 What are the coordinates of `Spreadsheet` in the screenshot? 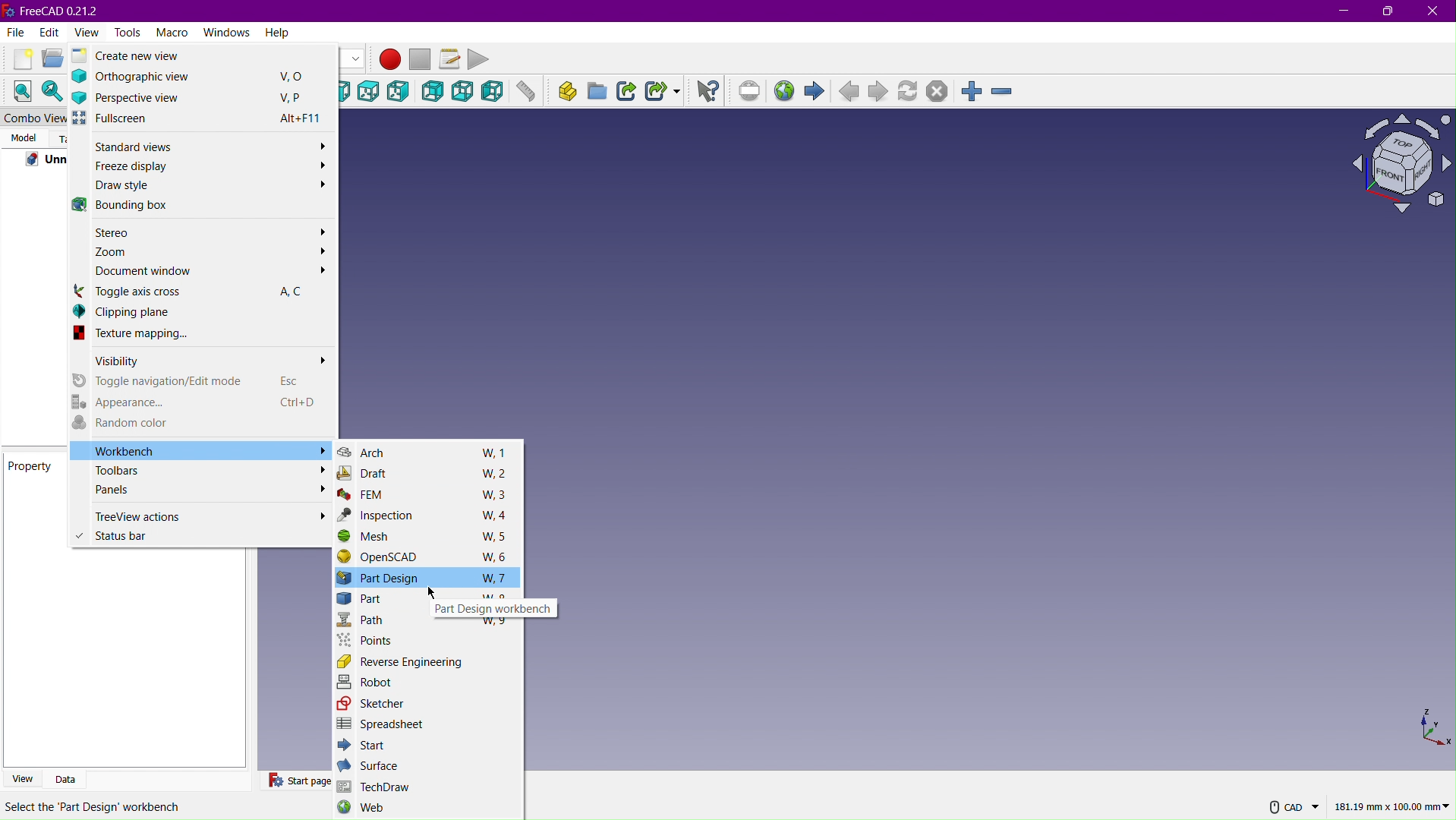 It's located at (381, 726).